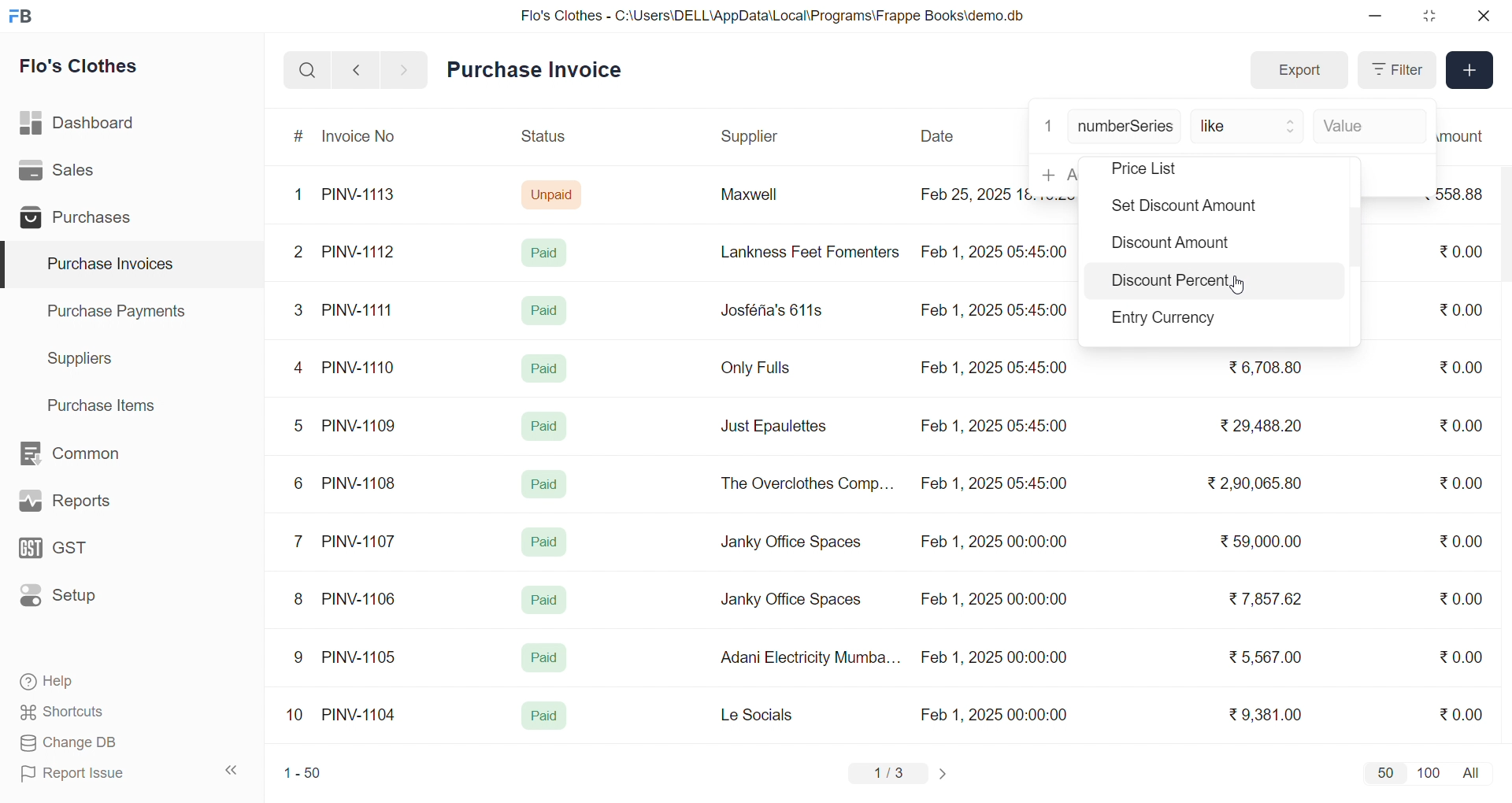 The height and width of the screenshot is (803, 1512). What do you see at coordinates (299, 601) in the screenshot?
I see `8` at bounding box center [299, 601].